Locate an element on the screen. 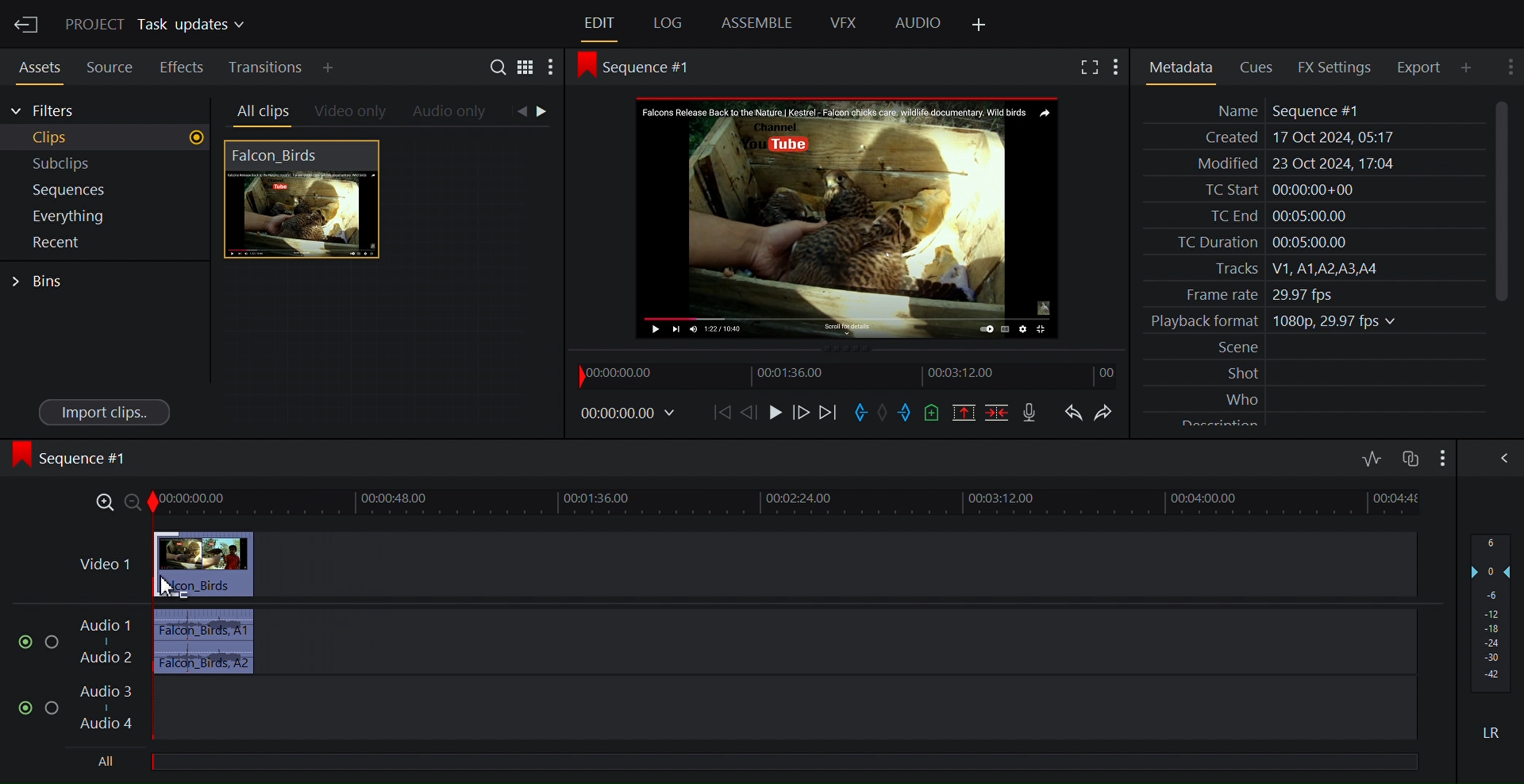 This screenshot has width=1524, height=784. Shot is located at coordinates (1315, 372).